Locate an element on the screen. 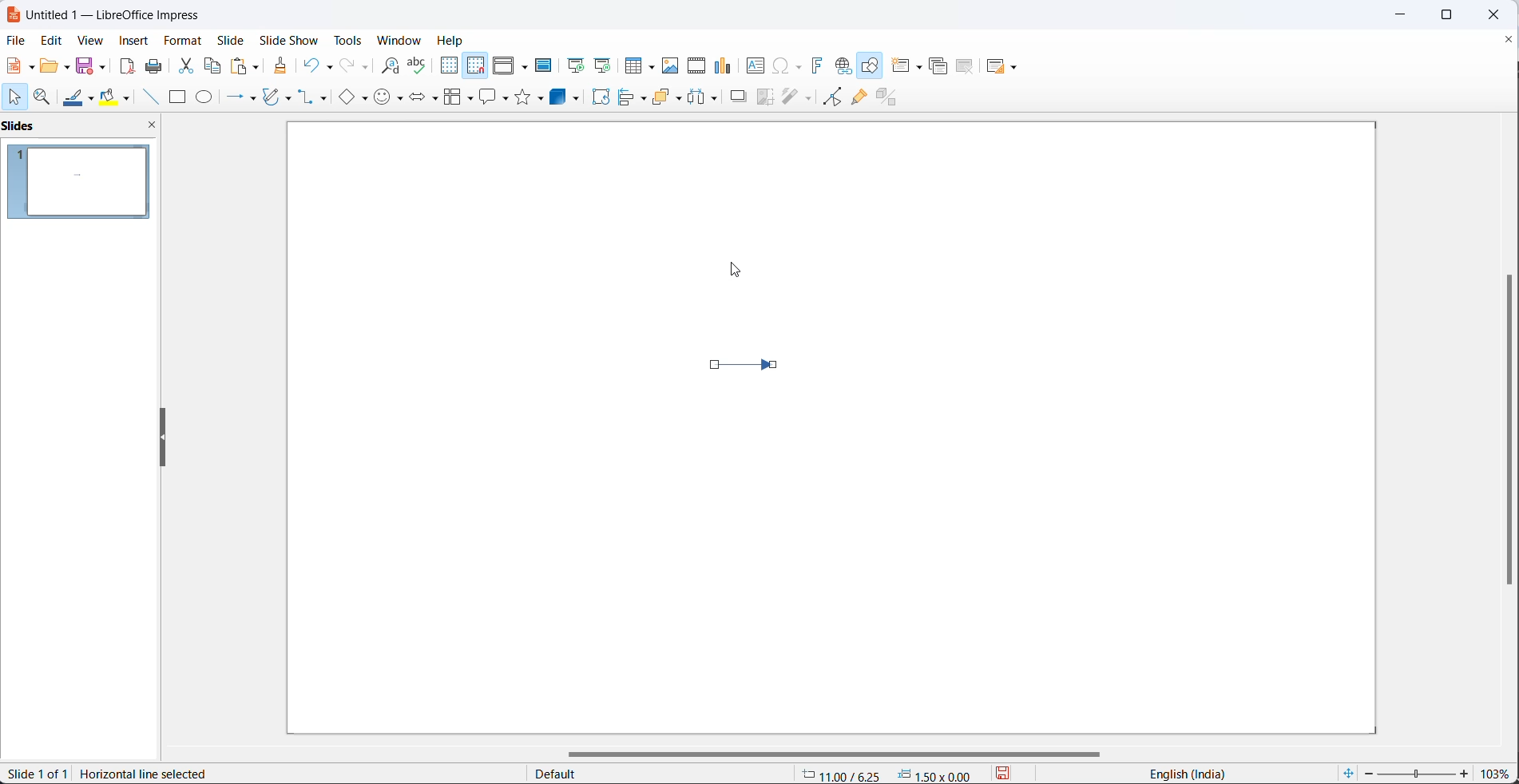  slide layout is located at coordinates (1003, 66).